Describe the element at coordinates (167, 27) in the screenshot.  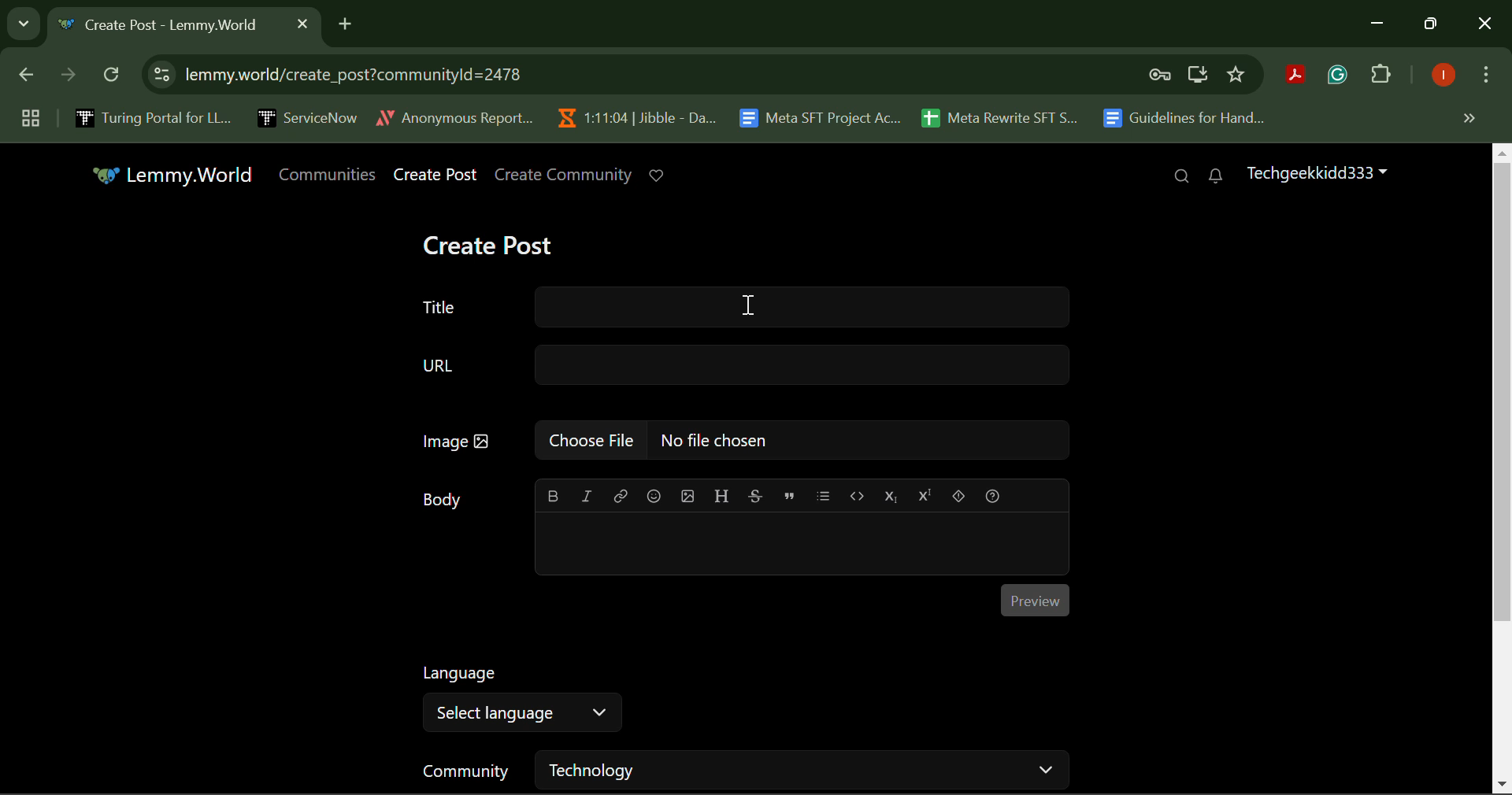
I see `Webpage Heading` at that location.